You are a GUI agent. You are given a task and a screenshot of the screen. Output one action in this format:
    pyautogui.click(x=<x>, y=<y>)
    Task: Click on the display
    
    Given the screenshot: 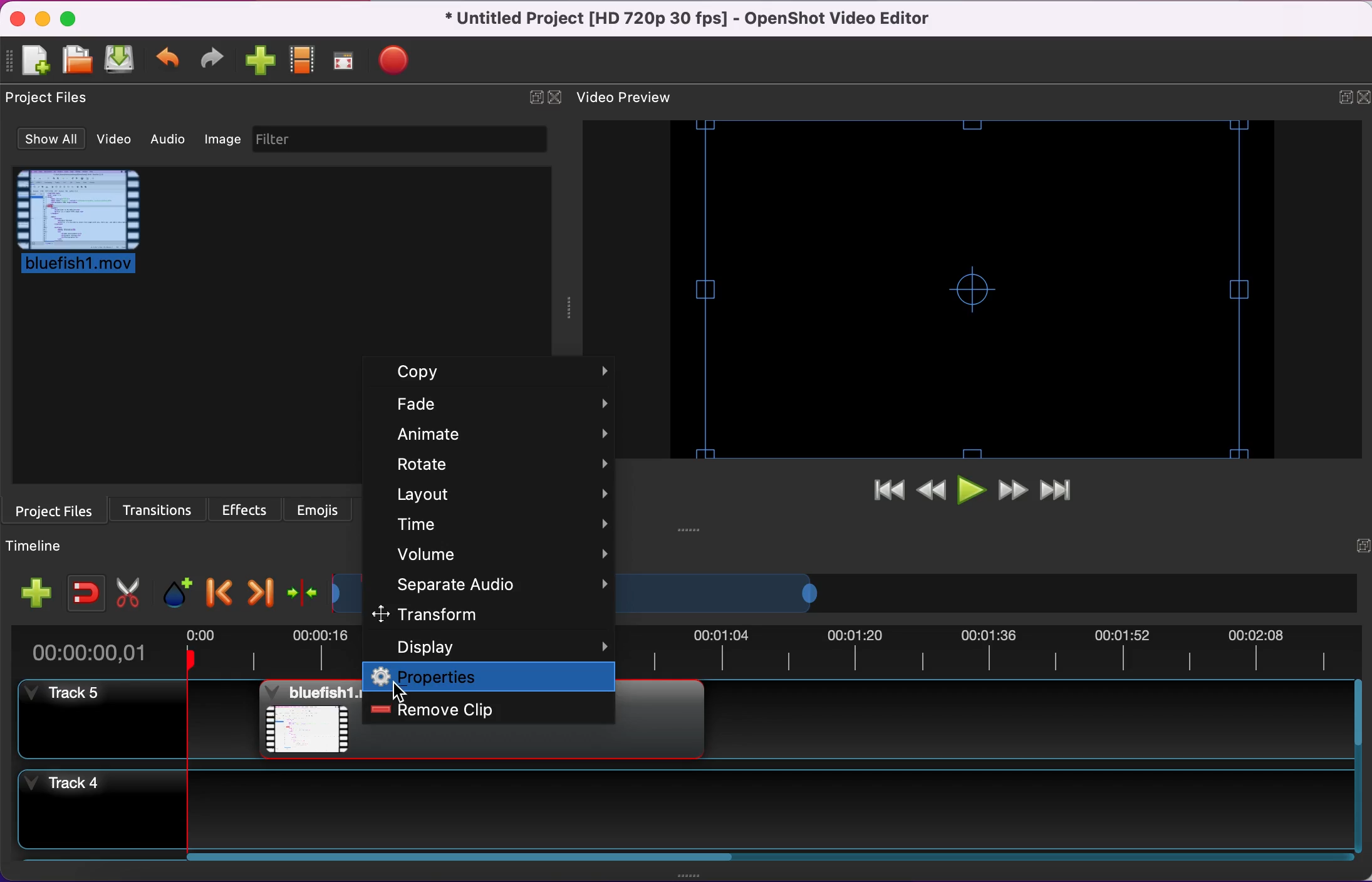 What is the action you would take?
    pyautogui.click(x=486, y=647)
    